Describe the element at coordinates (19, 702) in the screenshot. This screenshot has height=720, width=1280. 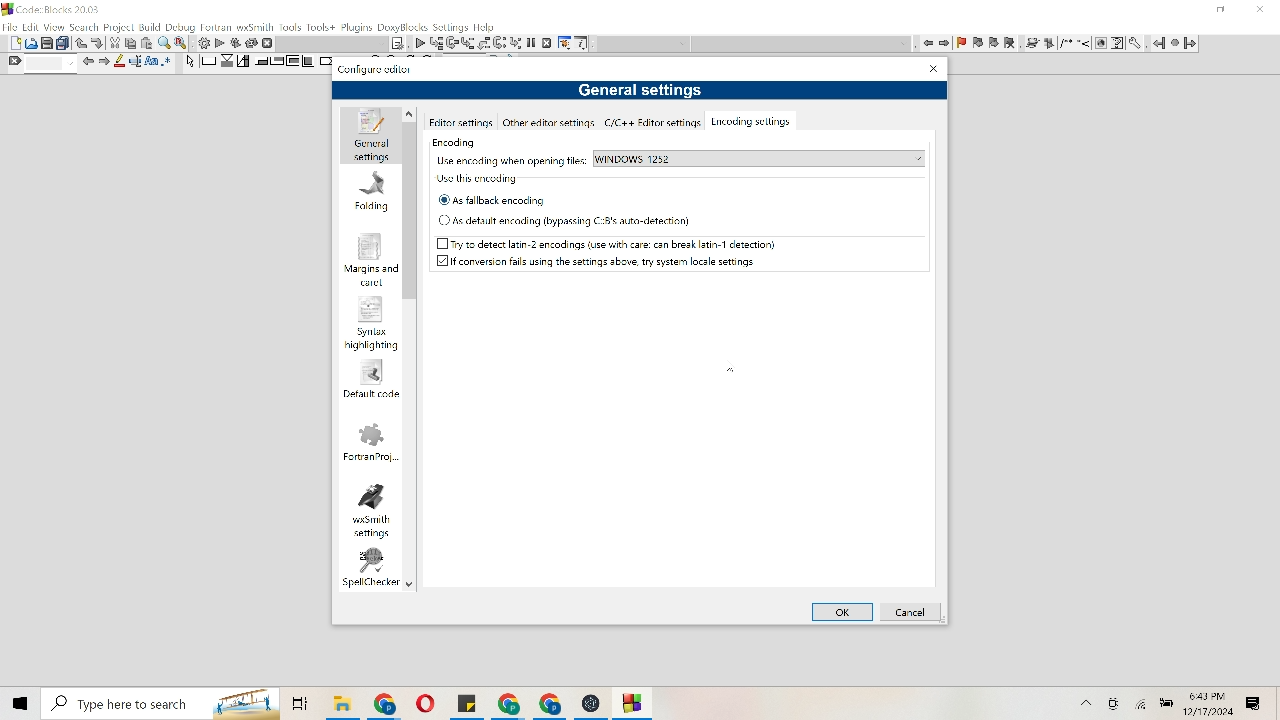
I see `Windows` at that location.